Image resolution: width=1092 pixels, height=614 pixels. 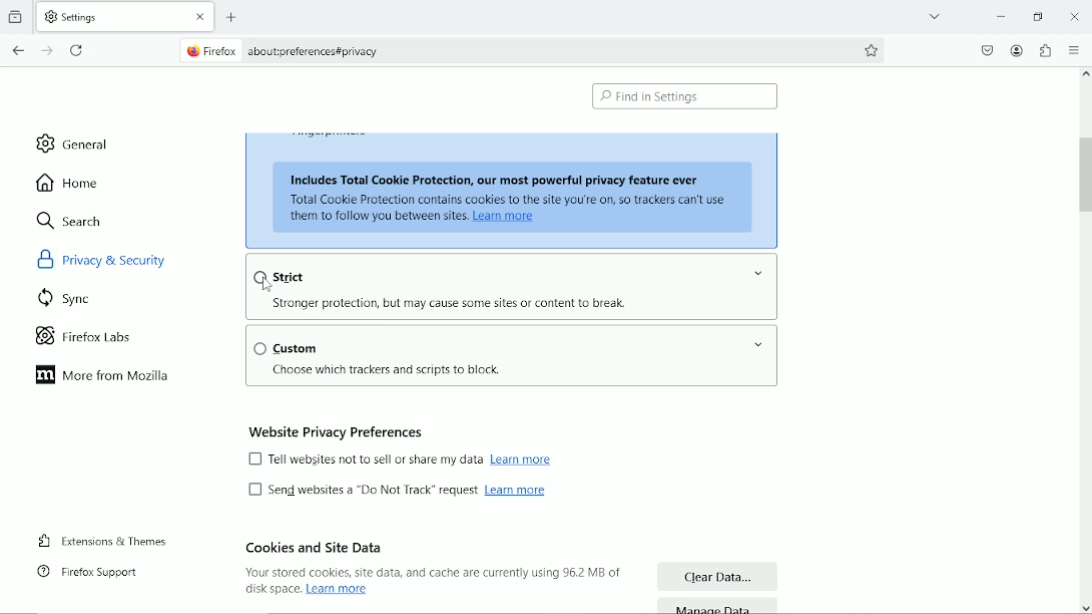 What do you see at coordinates (17, 15) in the screenshot?
I see `view recent browsing` at bounding box center [17, 15].